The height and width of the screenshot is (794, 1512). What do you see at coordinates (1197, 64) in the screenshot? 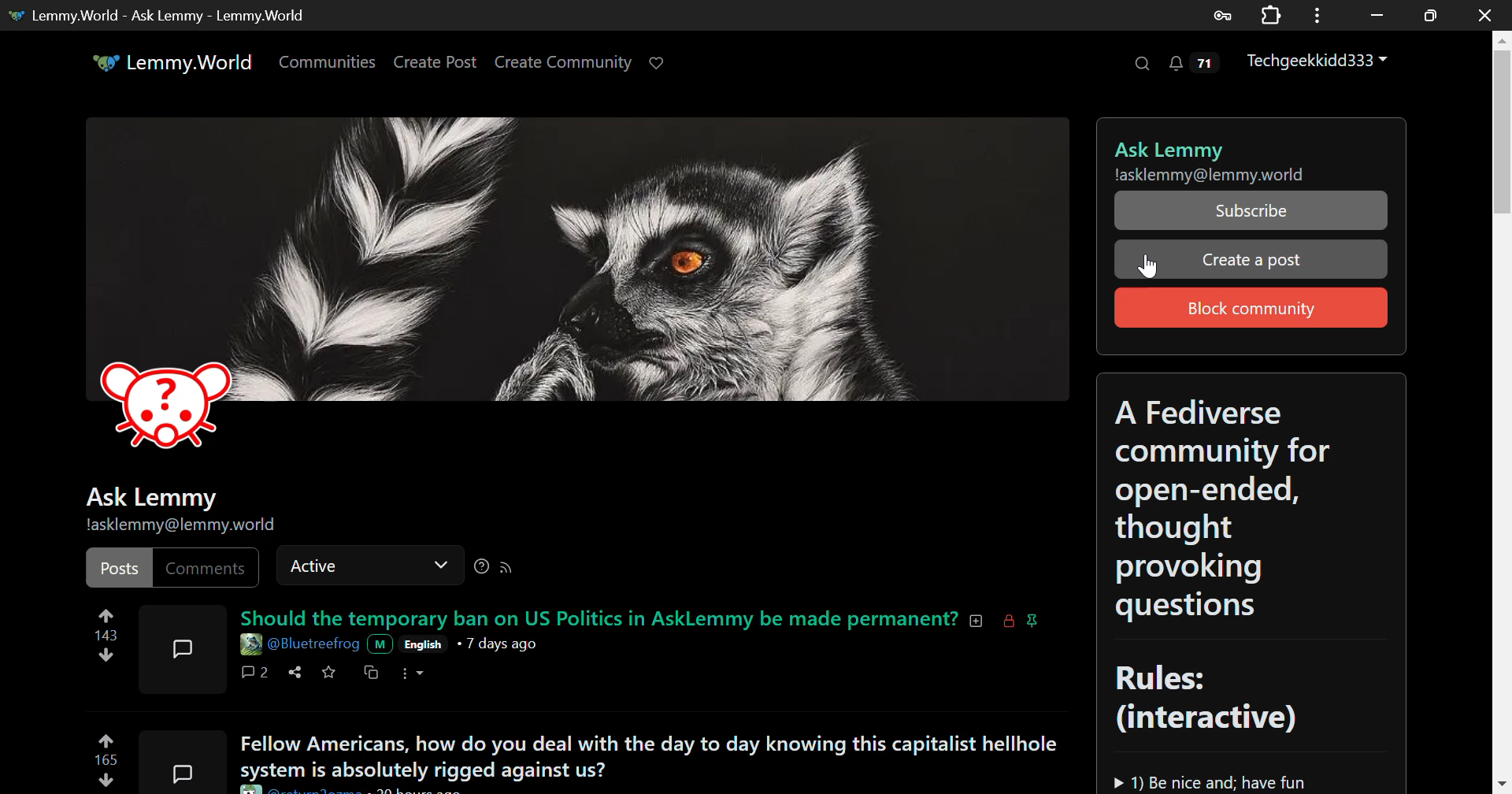
I see `Notifications` at bounding box center [1197, 64].